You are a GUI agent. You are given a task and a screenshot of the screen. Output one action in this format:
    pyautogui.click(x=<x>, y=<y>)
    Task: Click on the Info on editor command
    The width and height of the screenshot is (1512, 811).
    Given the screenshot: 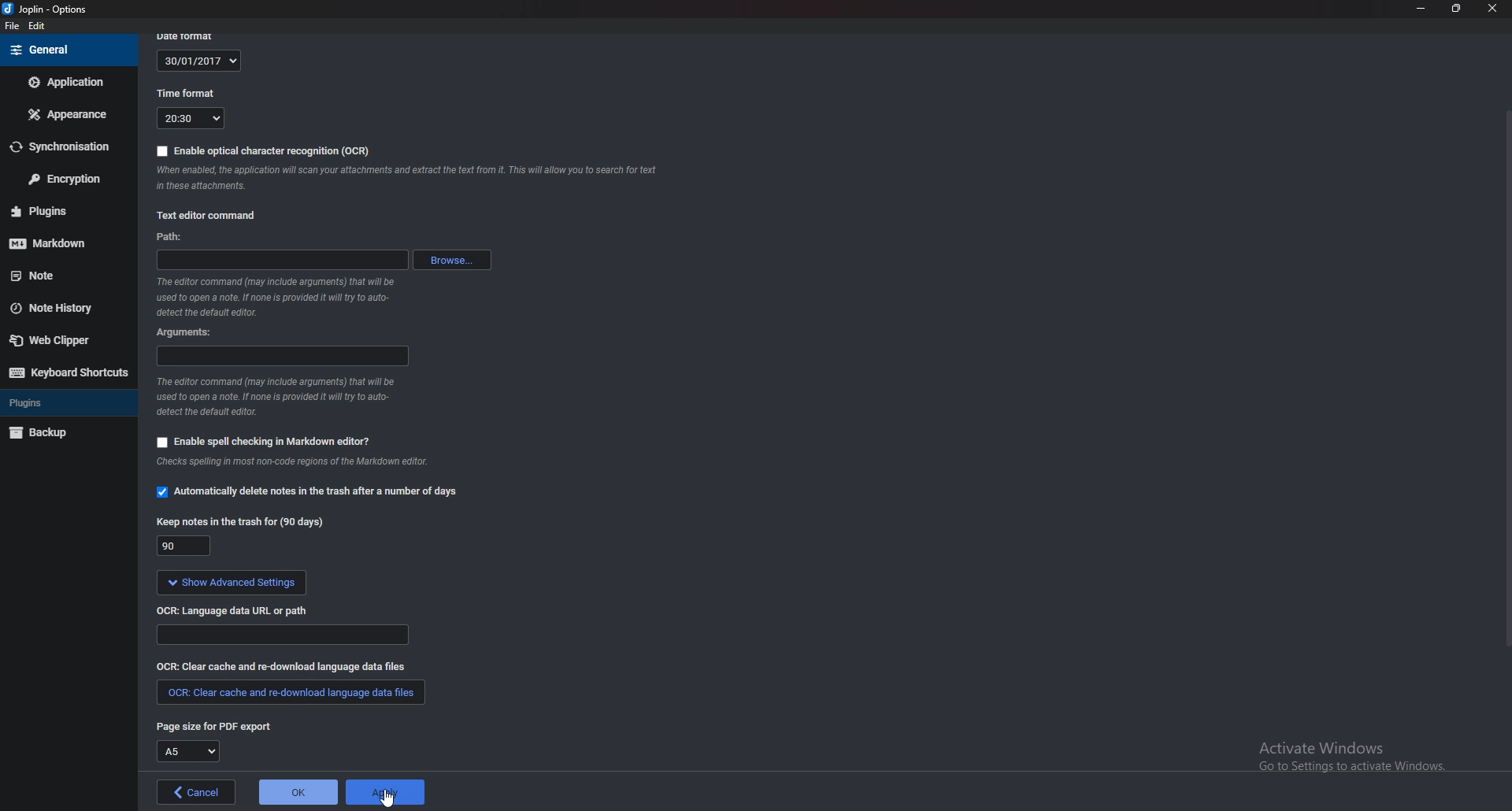 What is the action you would take?
    pyautogui.click(x=280, y=297)
    